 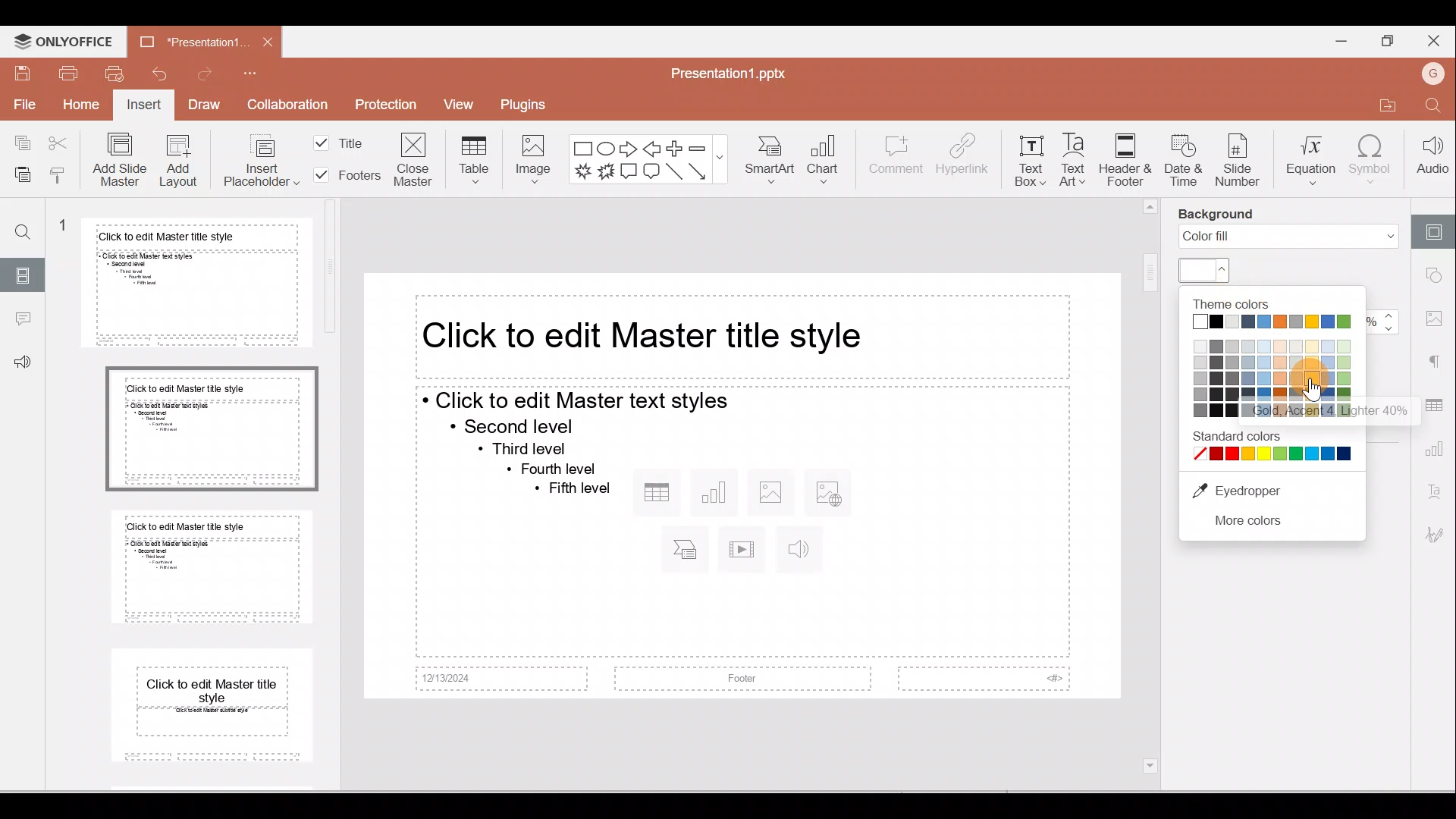 What do you see at coordinates (1439, 277) in the screenshot?
I see `Shape settings` at bounding box center [1439, 277].